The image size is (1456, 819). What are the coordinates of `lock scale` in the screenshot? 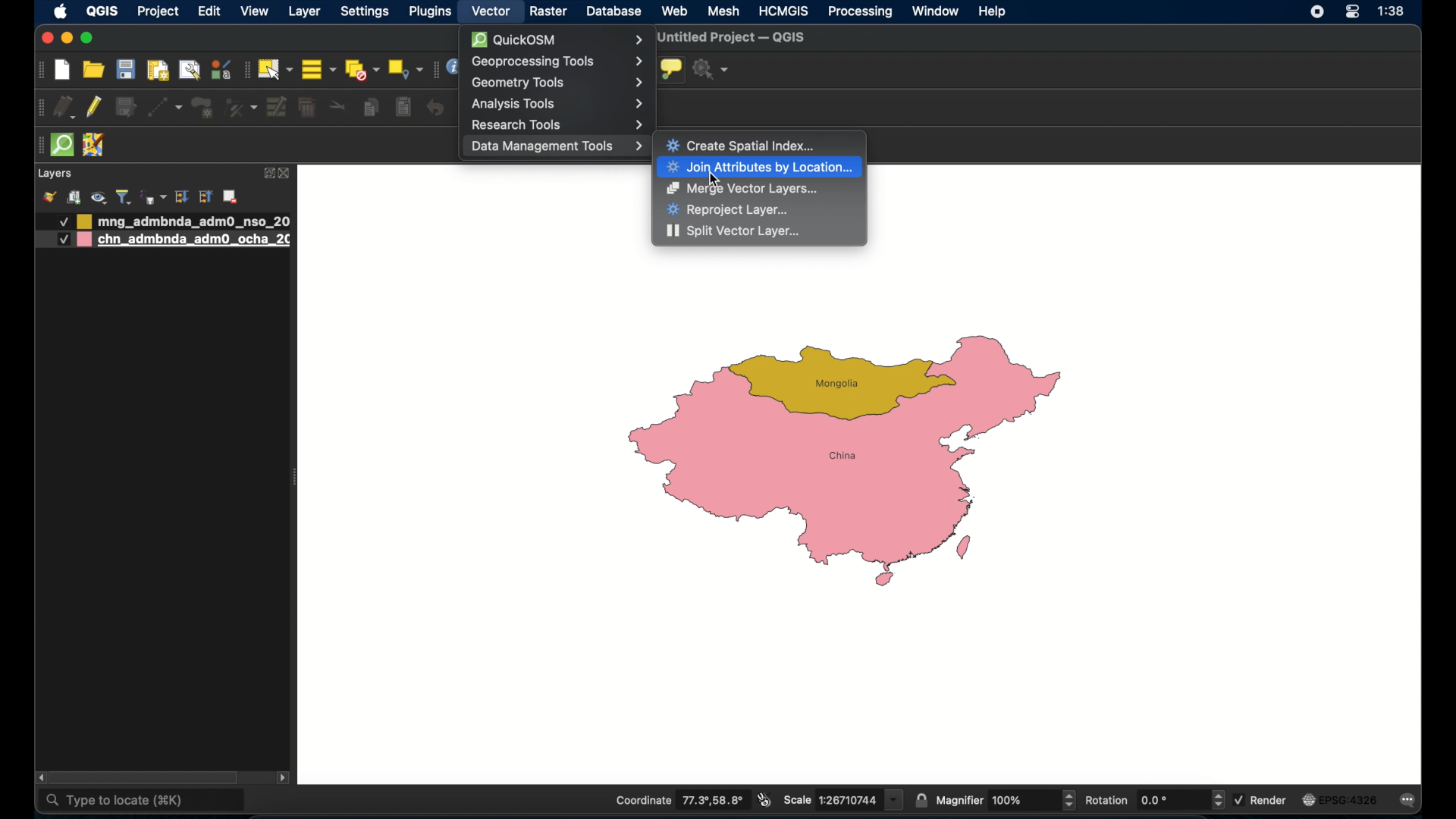 It's located at (923, 799).